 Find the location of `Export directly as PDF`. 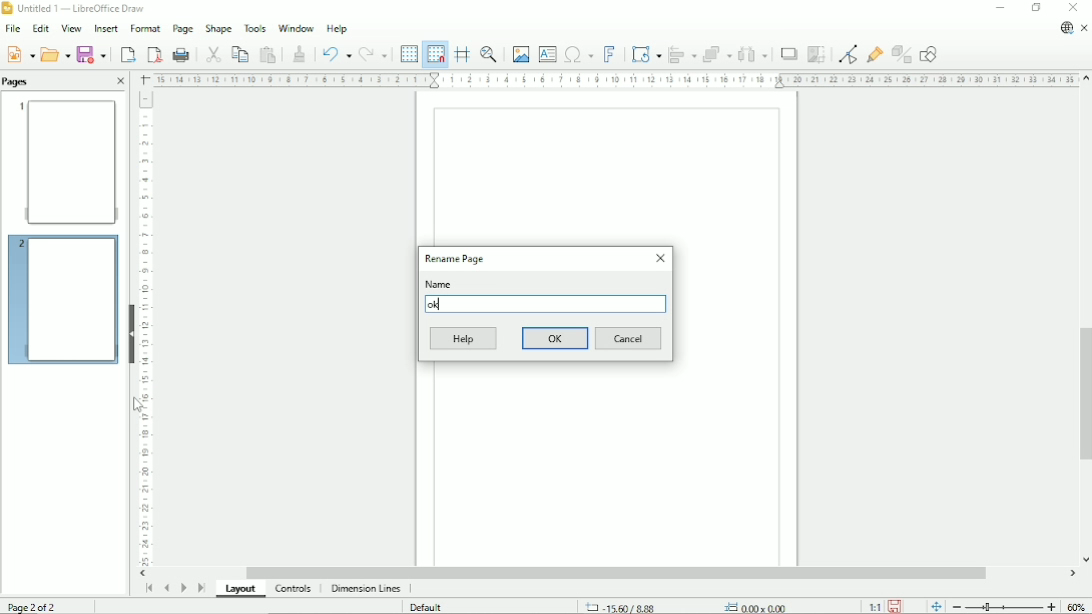

Export directly as PDF is located at coordinates (154, 55).